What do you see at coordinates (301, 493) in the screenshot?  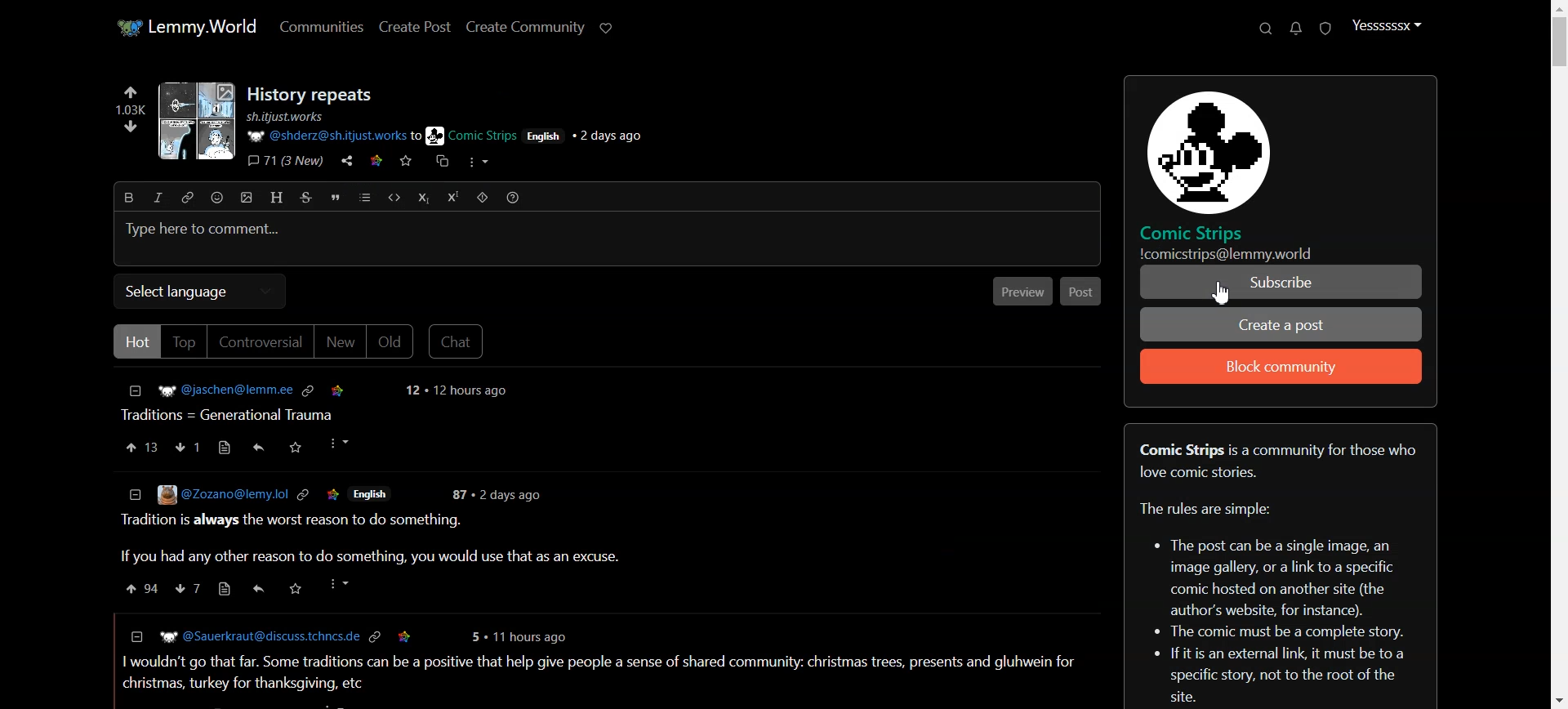 I see `Link` at bounding box center [301, 493].